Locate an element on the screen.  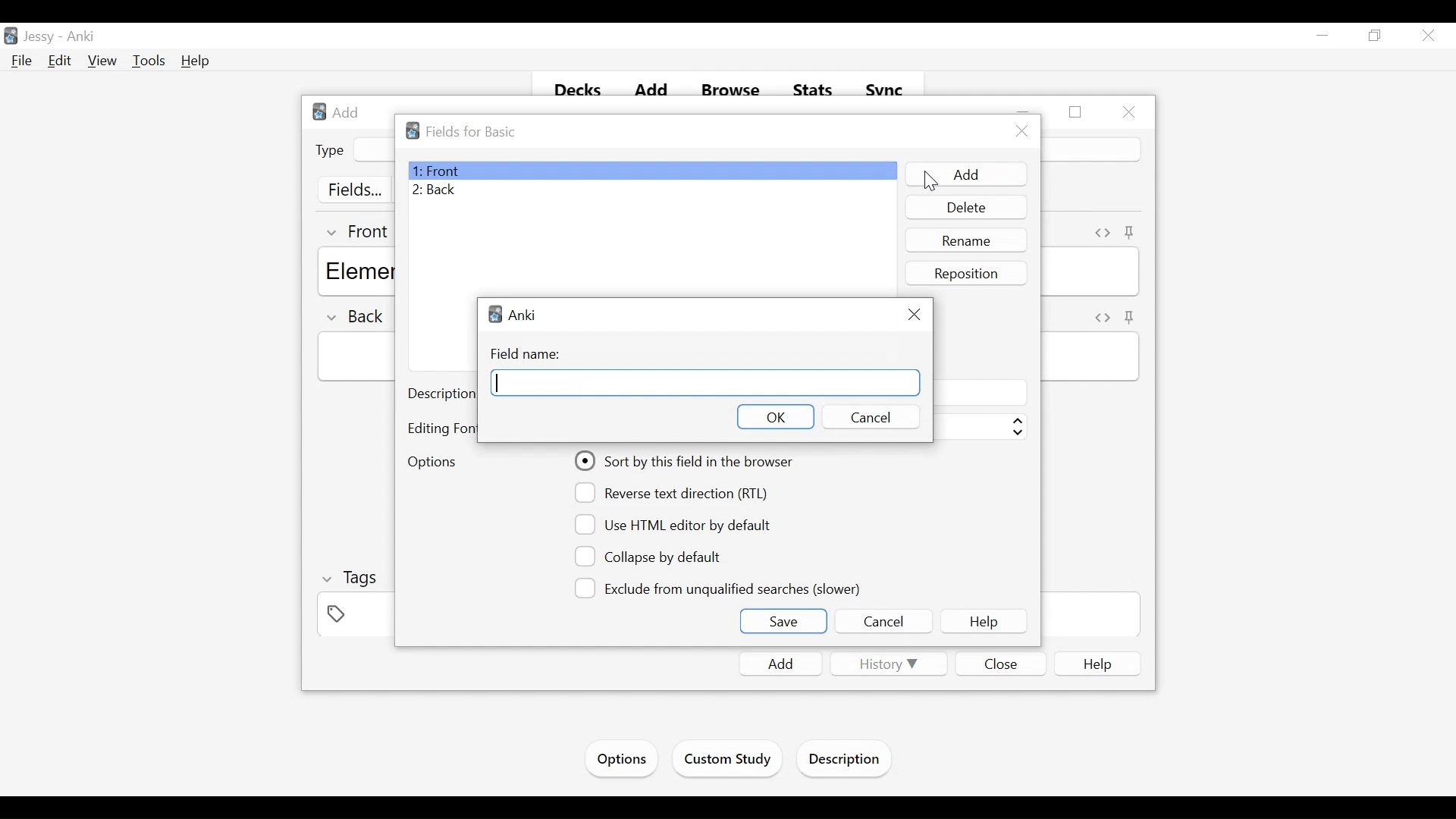
(un)select Use HTML editor by default is located at coordinates (674, 525).